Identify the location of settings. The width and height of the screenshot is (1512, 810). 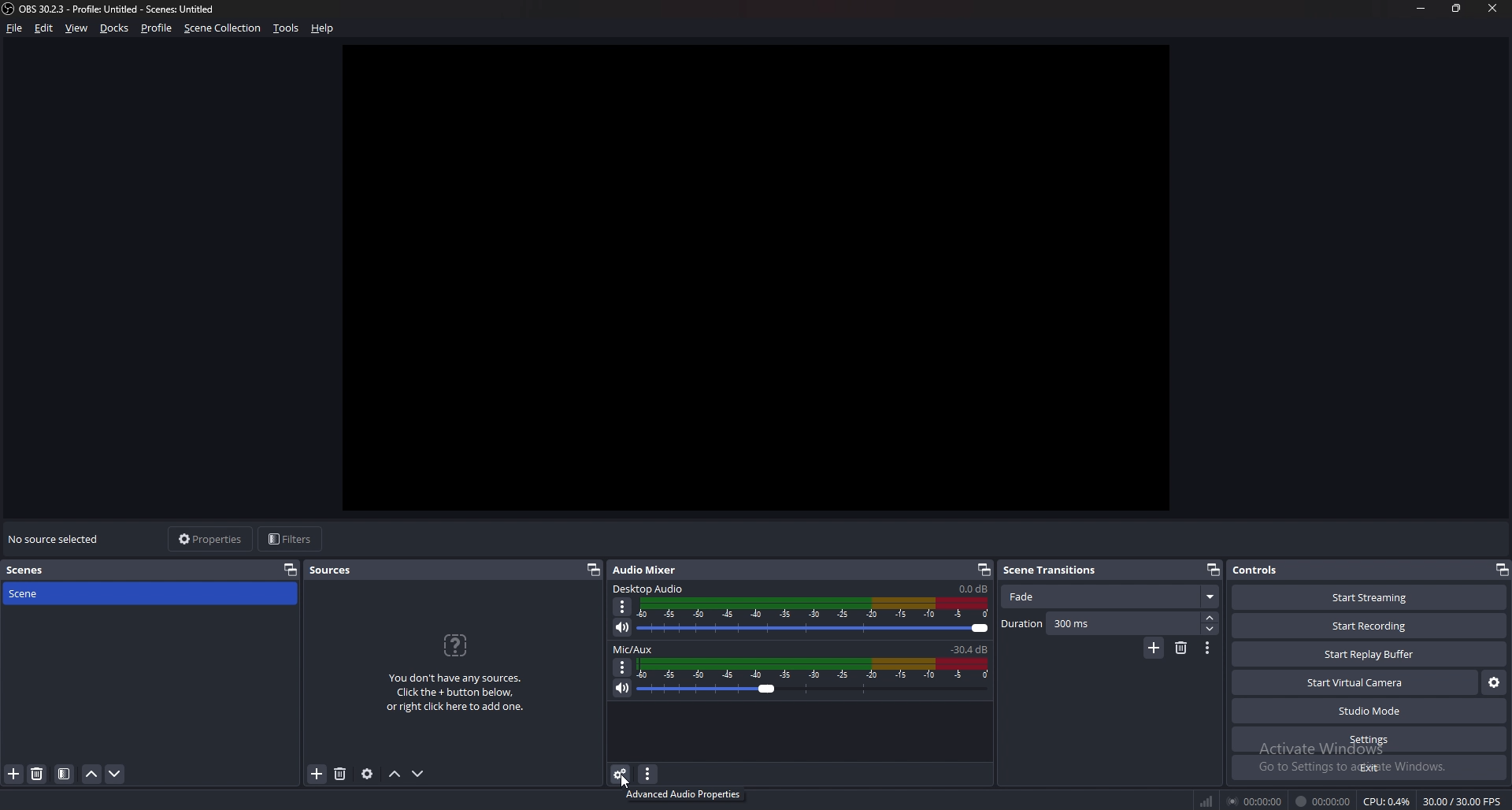
(1367, 739).